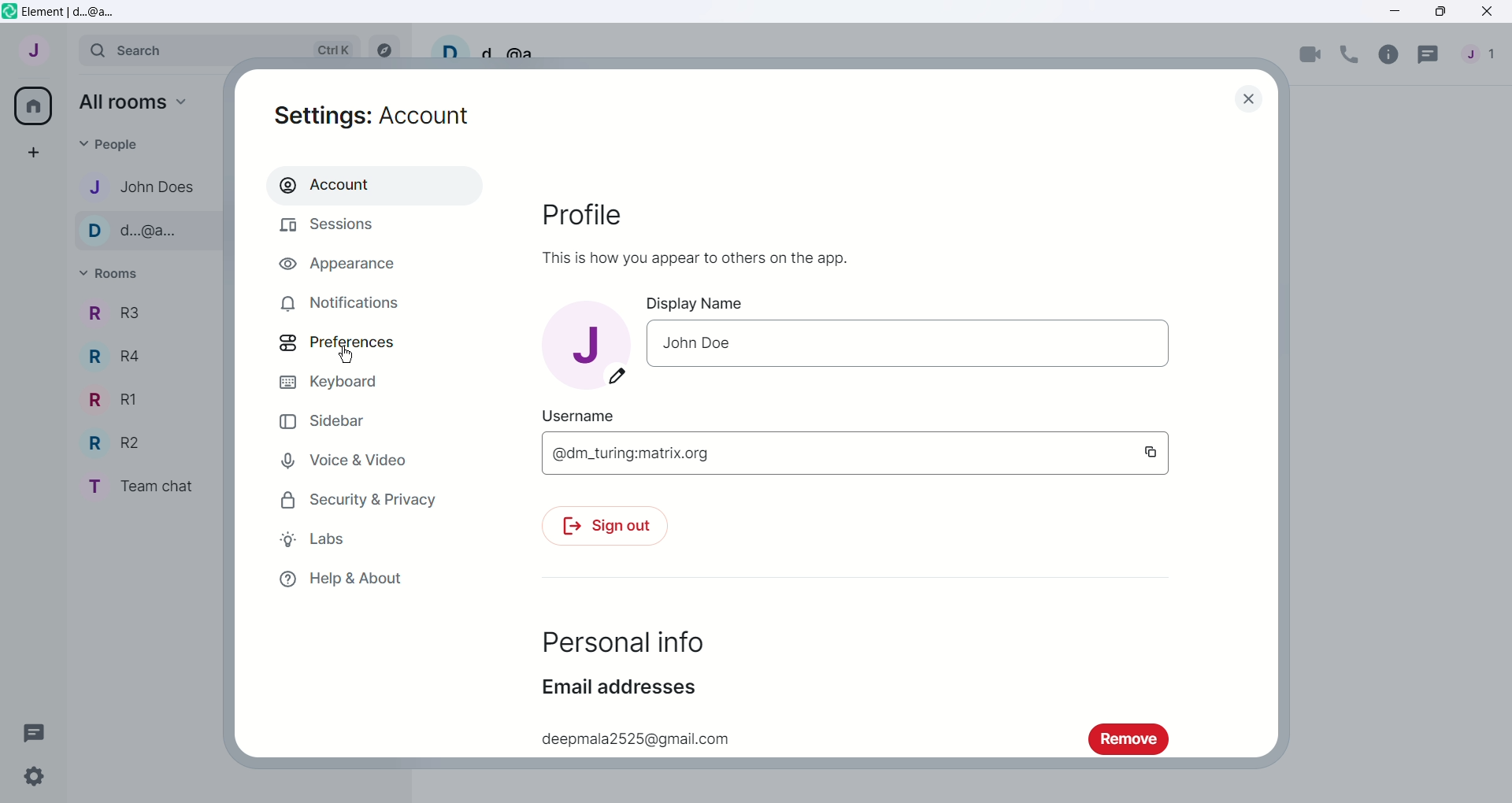  I want to click on Labs, so click(360, 539).